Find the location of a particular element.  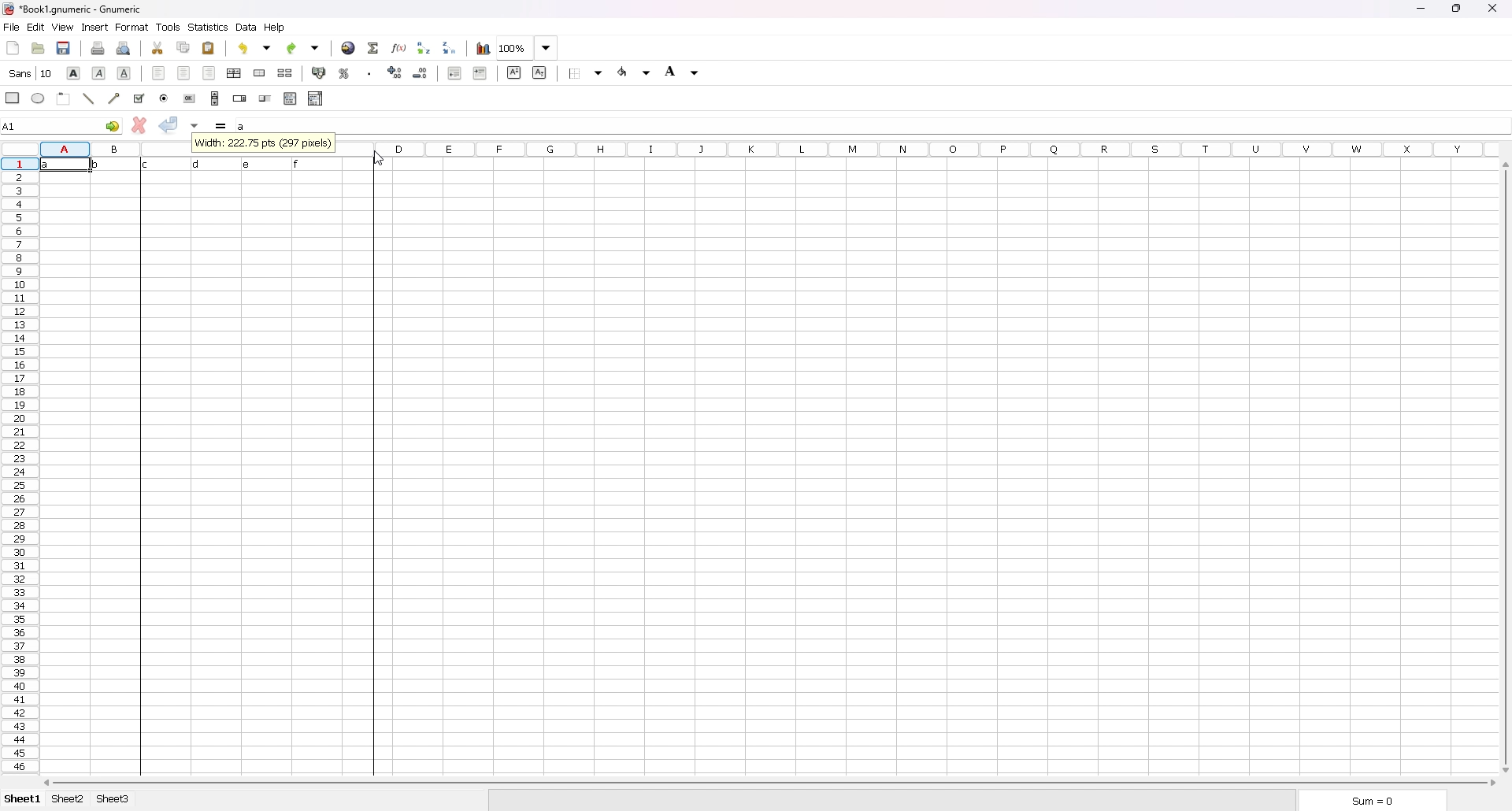

sheet 1 is located at coordinates (23, 799).